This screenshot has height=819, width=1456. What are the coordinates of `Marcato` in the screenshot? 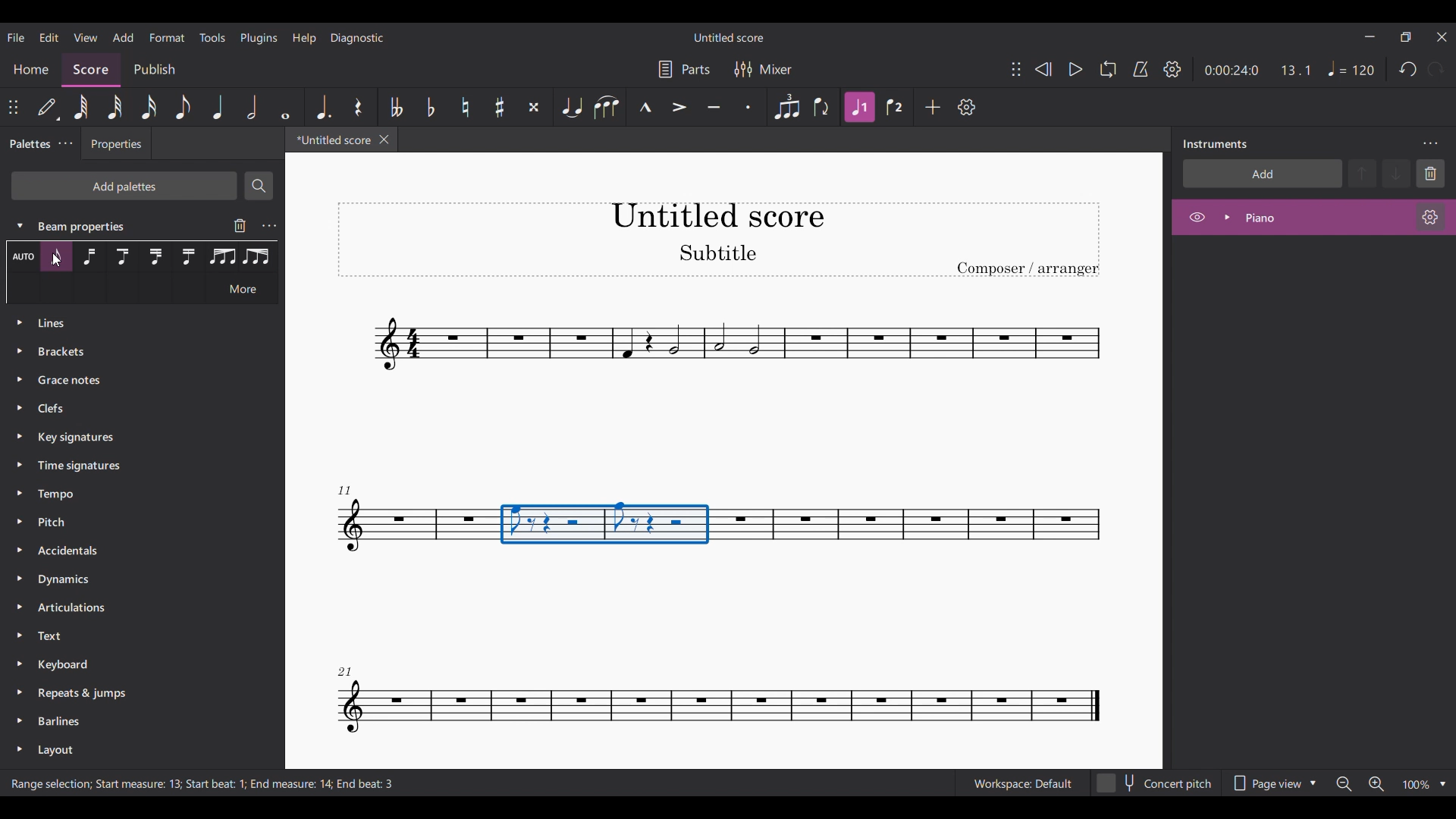 It's located at (645, 107).